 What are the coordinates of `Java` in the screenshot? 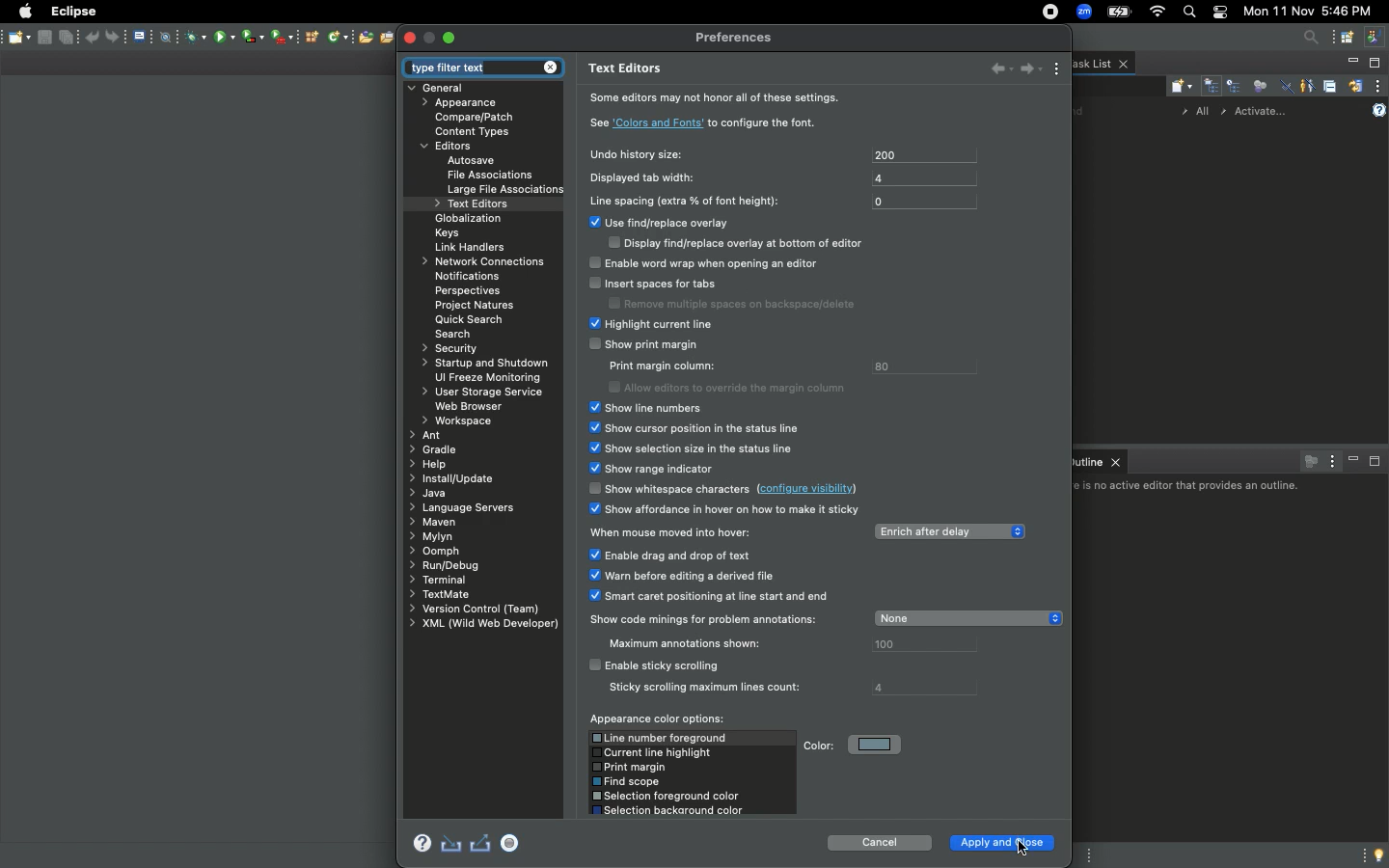 It's located at (428, 493).